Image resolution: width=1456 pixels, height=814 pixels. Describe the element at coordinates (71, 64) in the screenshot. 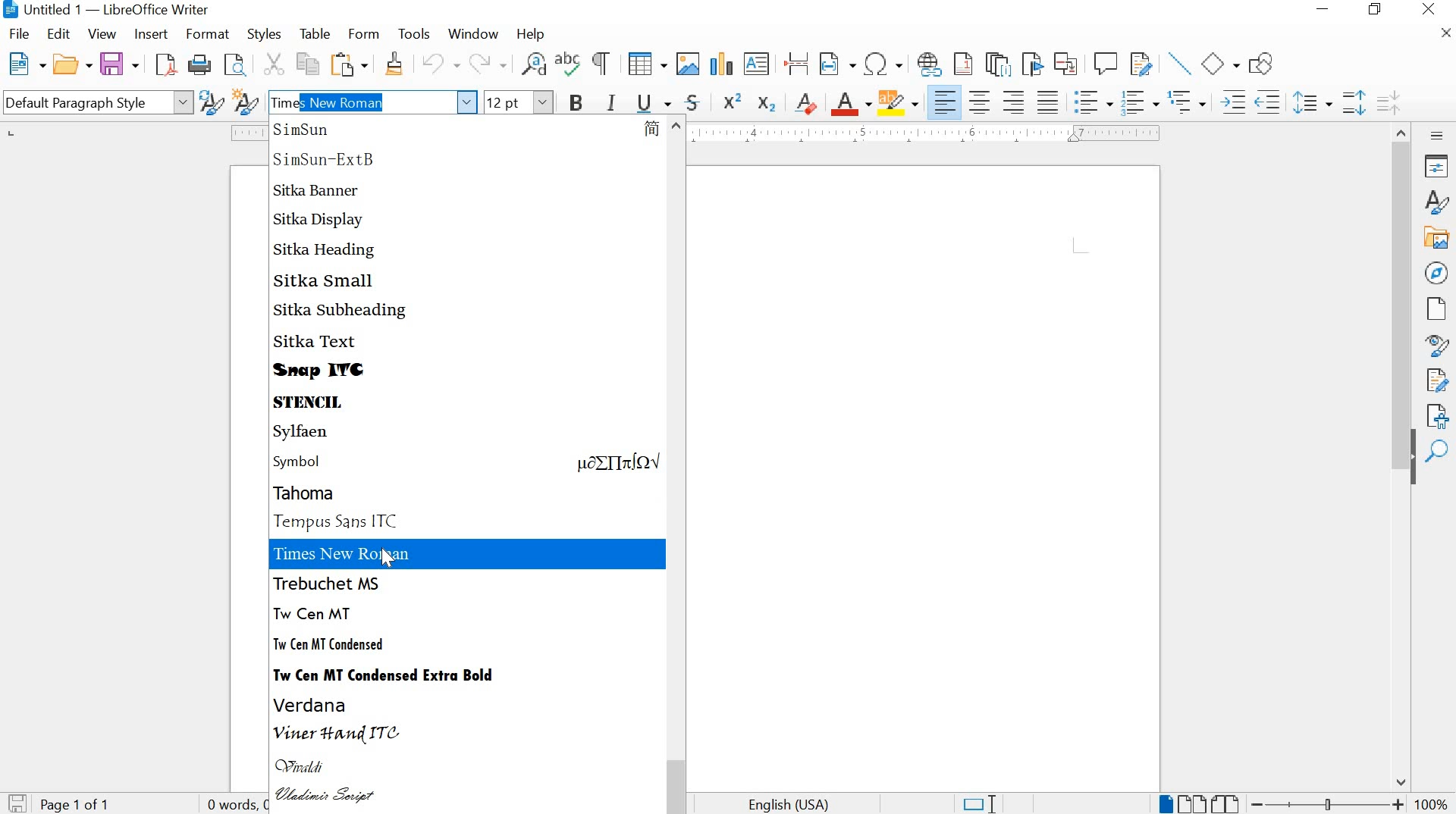

I see `OPEN` at that location.